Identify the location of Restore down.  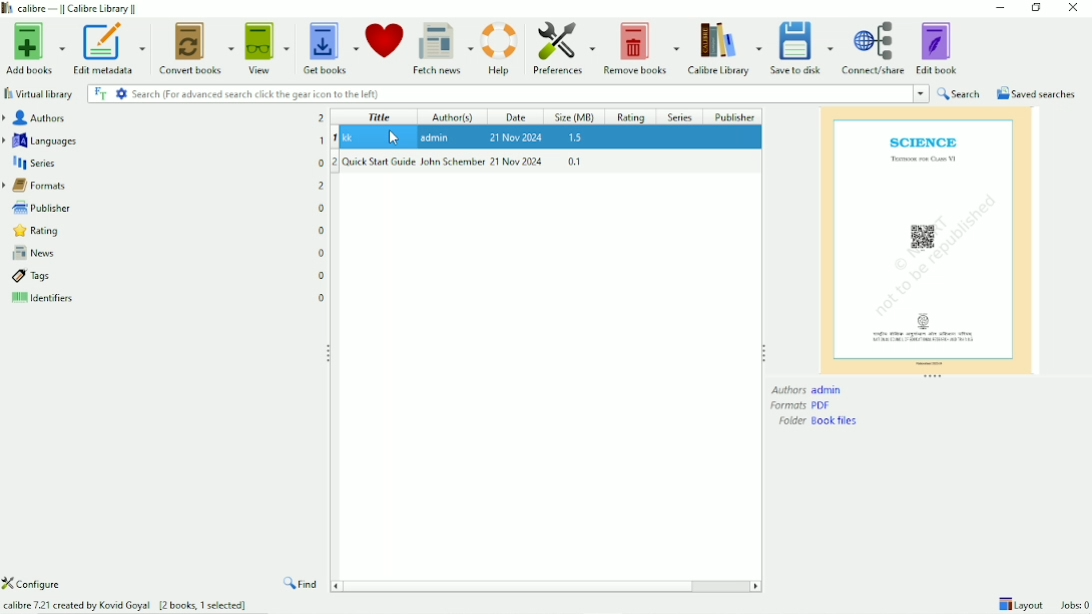
(1036, 8).